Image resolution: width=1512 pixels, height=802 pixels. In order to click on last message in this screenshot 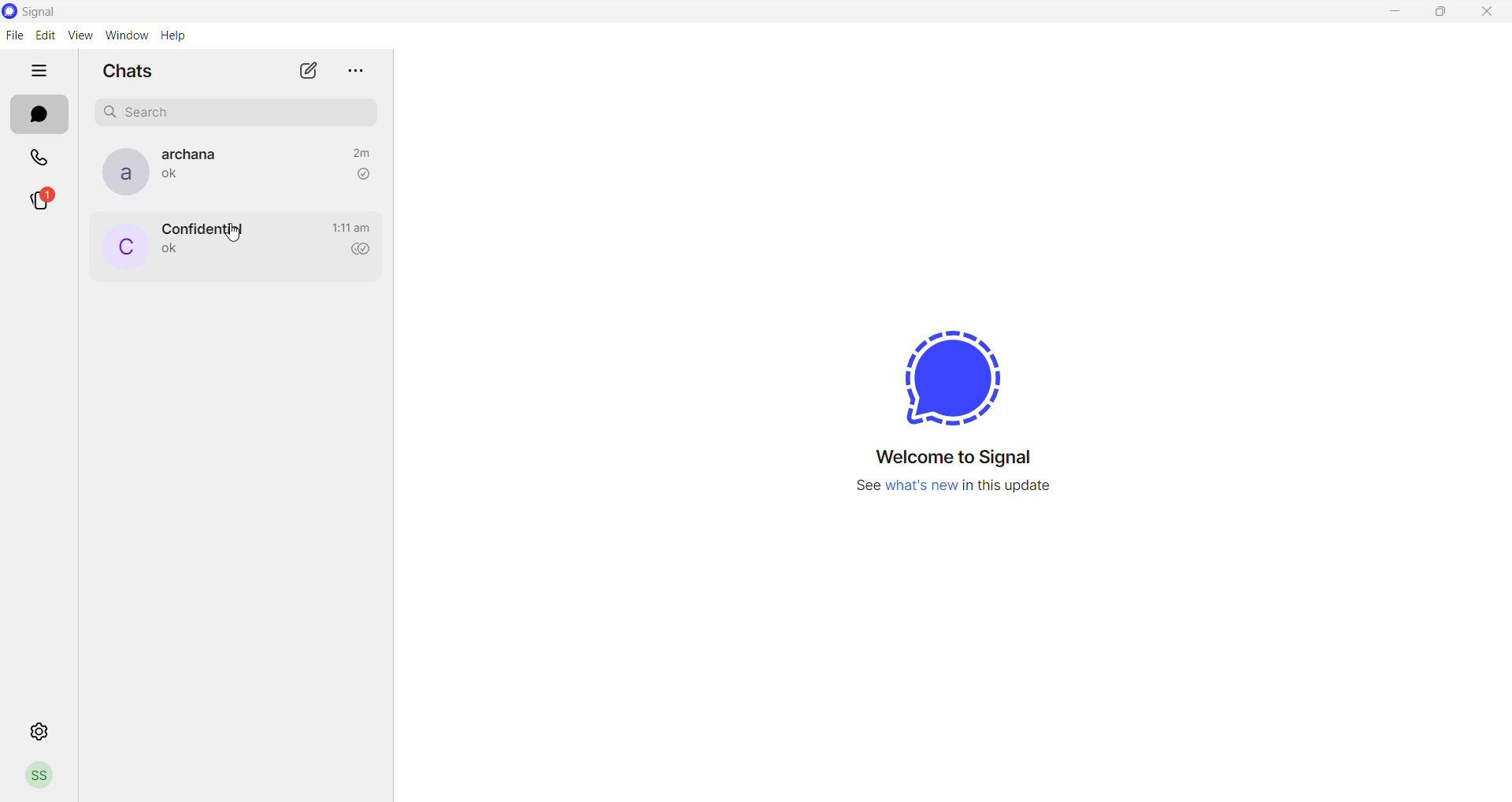, I will do `click(174, 177)`.